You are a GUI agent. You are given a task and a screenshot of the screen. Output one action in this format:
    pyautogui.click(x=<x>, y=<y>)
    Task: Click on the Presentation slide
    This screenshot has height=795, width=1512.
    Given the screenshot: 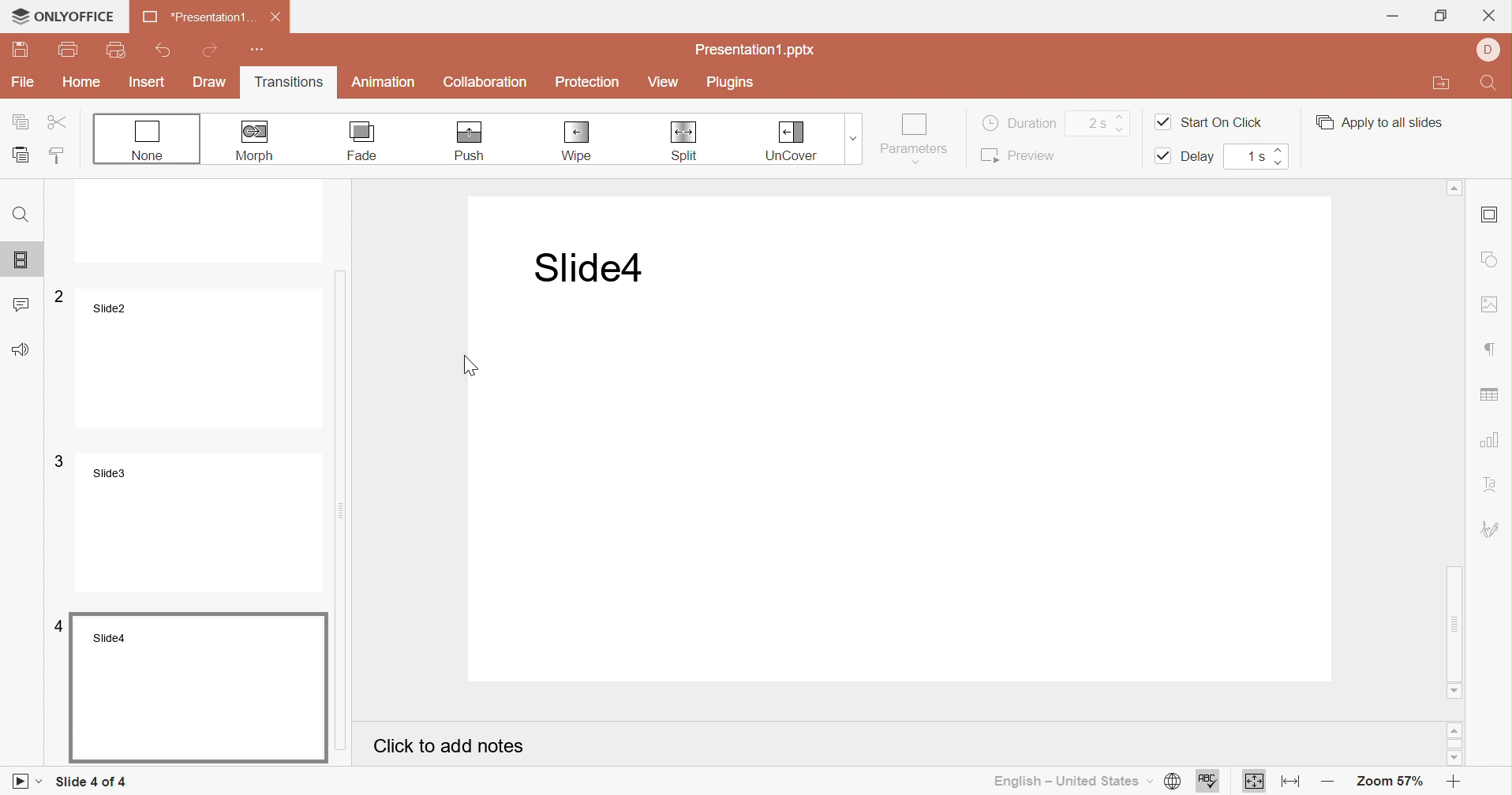 What is the action you would take?
    pyautogui.click(x=908, y=441)
    